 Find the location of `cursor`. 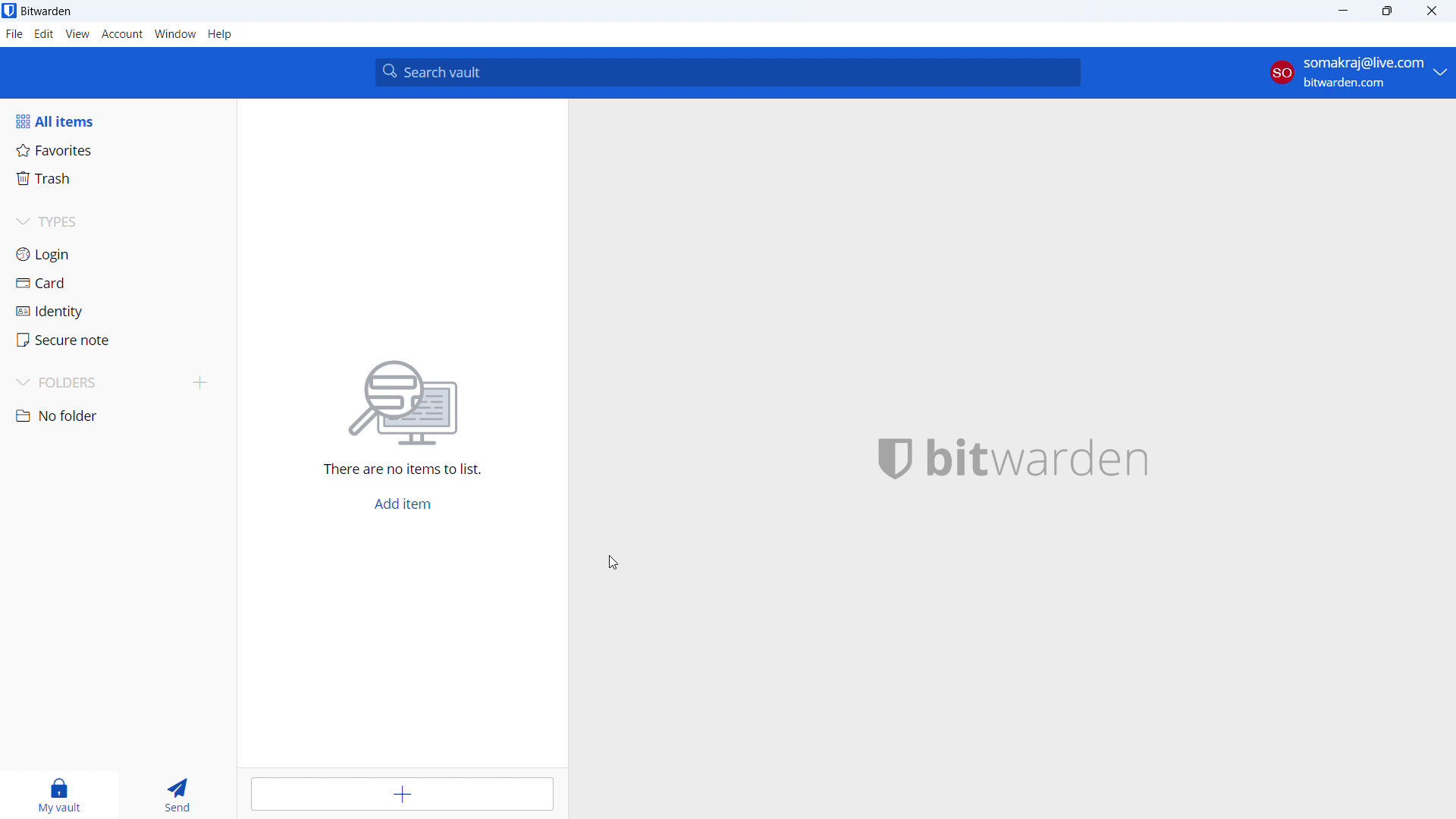

cursor is located at coordinates (613, 564).